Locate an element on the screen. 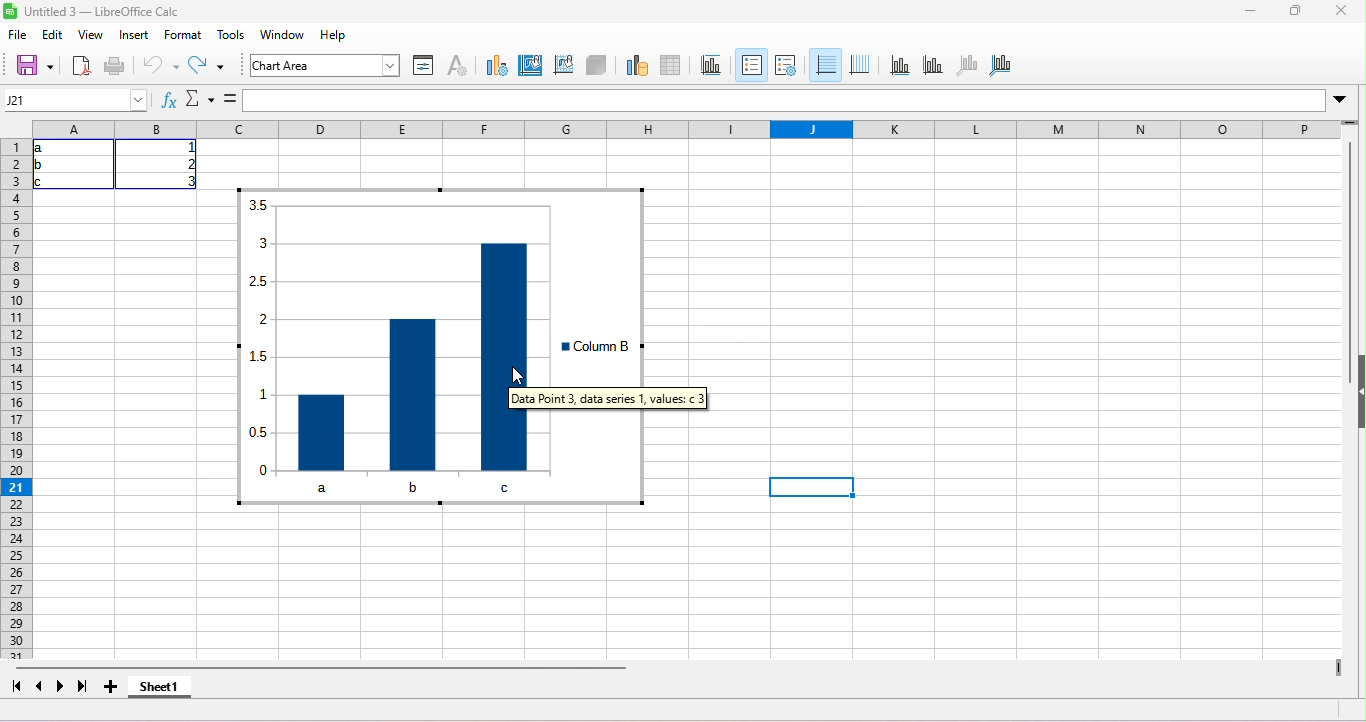 The height and width of the screenshot is (722, 1366). data point 2 is located at coordinates (412, 393).